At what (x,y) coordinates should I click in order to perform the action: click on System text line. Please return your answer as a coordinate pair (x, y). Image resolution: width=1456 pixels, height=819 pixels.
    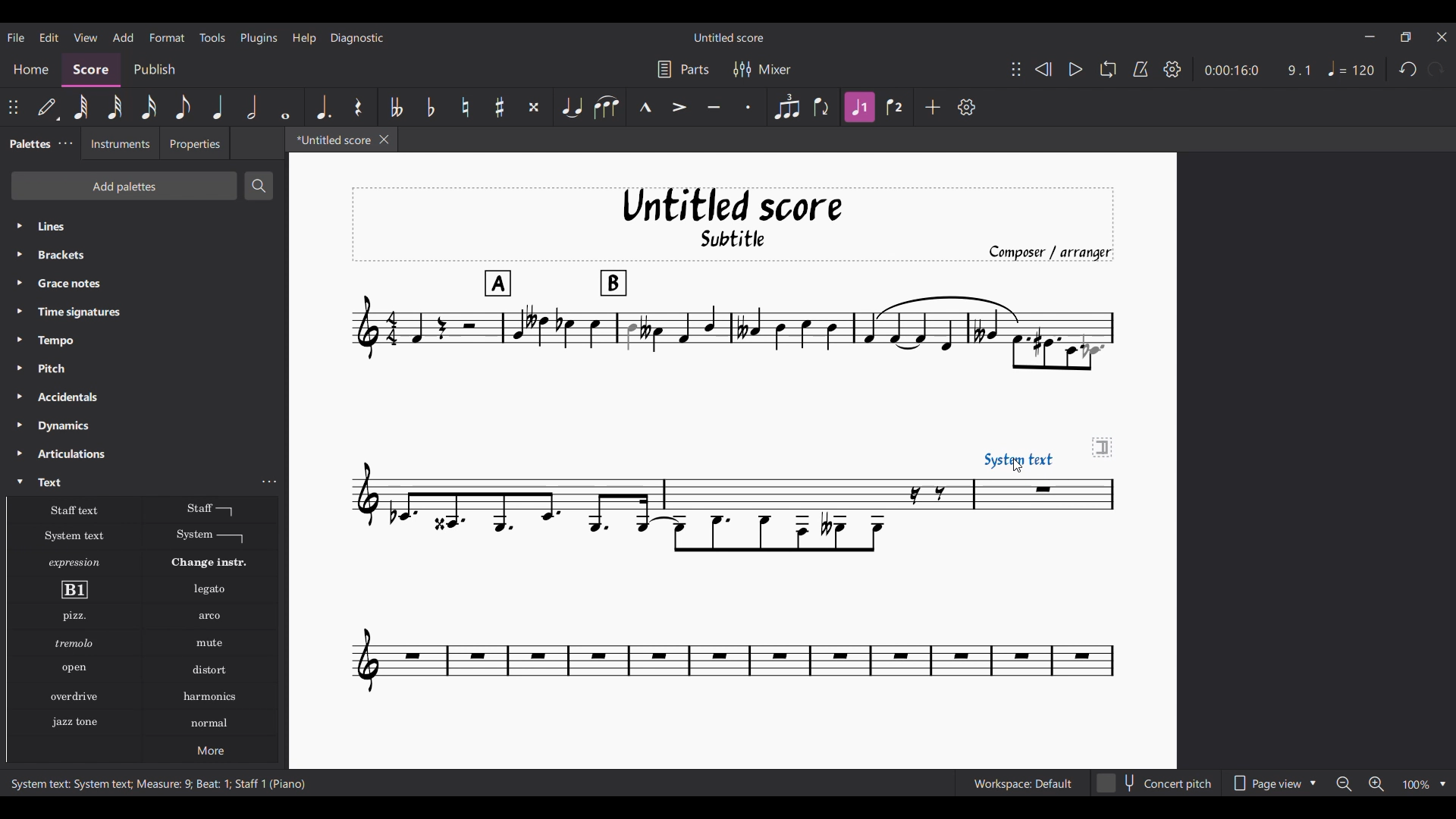
    Looking at the image, I should click on (210, 536).